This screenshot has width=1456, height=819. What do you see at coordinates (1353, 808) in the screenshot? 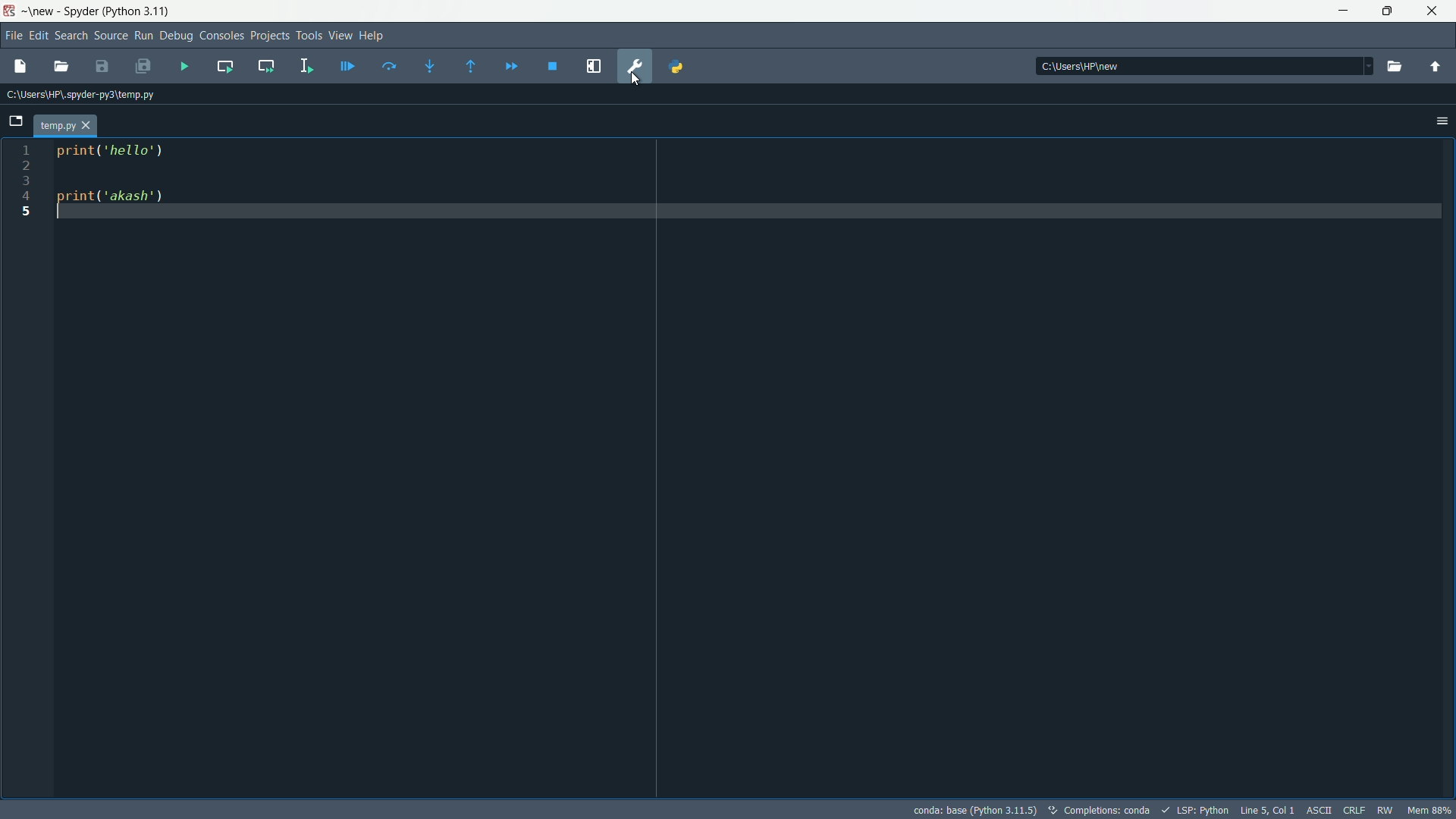
I see `CRLF` at bounding box center [1353, 808].